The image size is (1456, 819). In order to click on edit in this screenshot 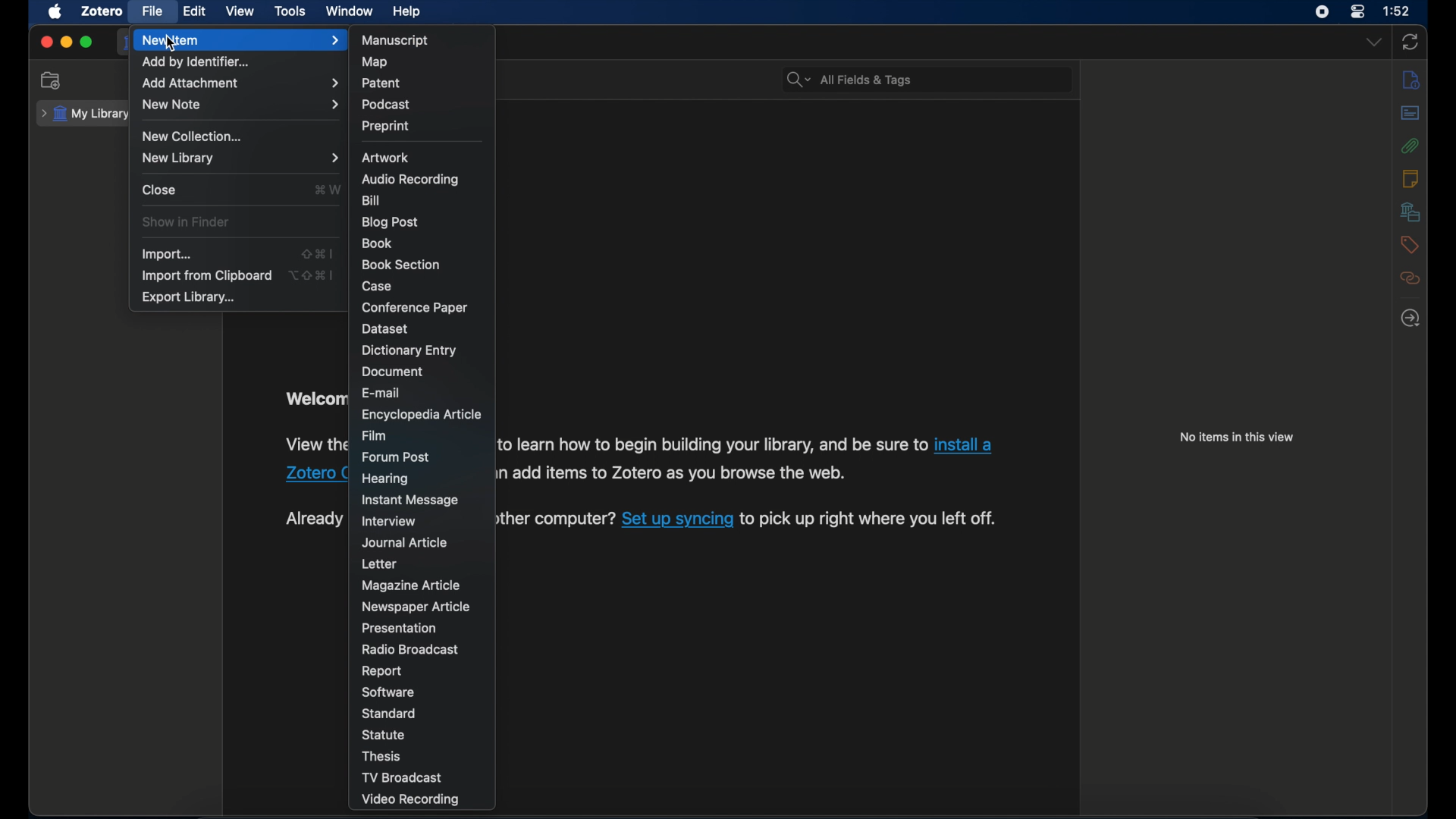, I will do `click(196, 11)`.